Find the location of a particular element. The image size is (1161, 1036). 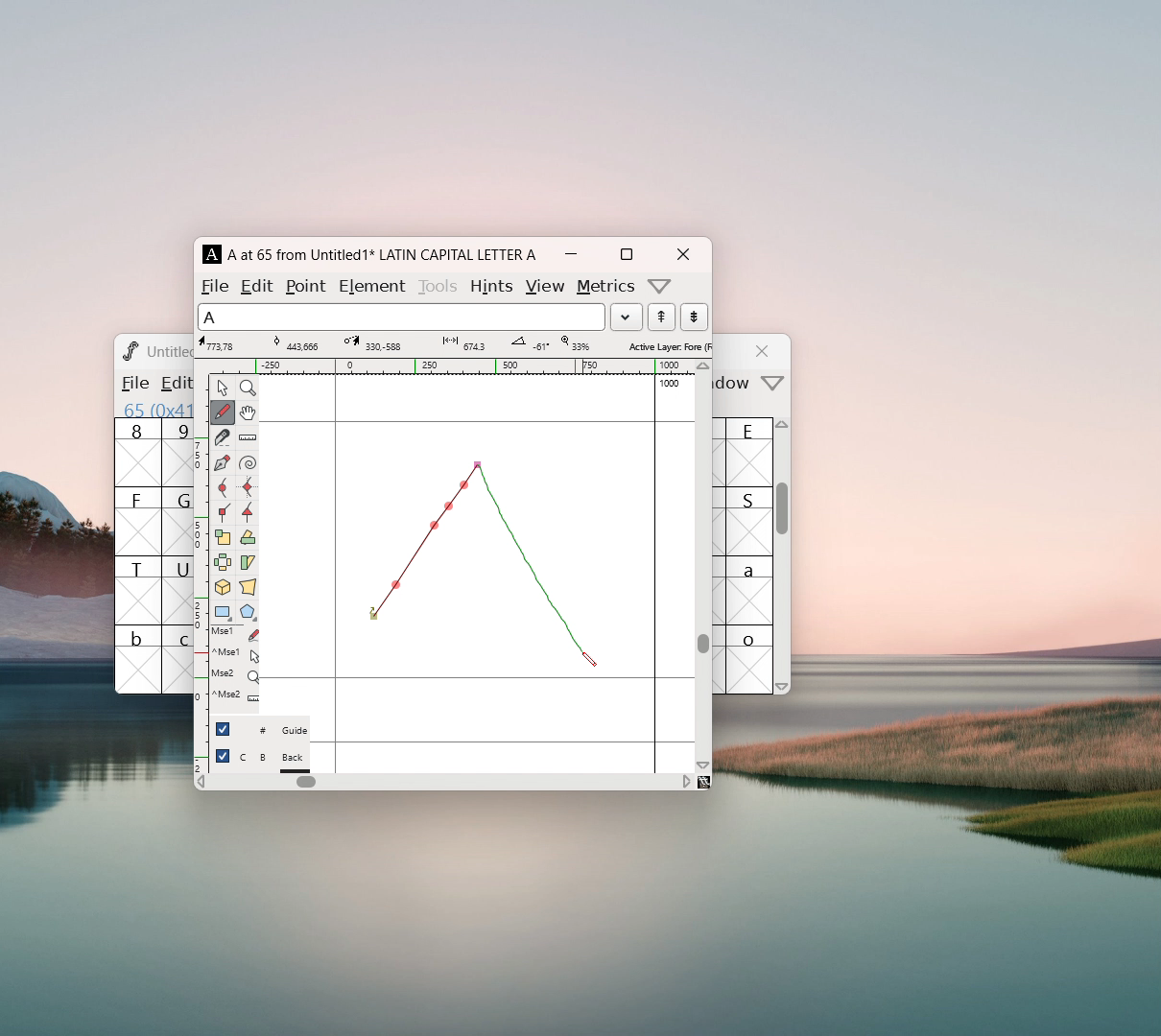

65 (0x41 is located at coordinates (154, 409).